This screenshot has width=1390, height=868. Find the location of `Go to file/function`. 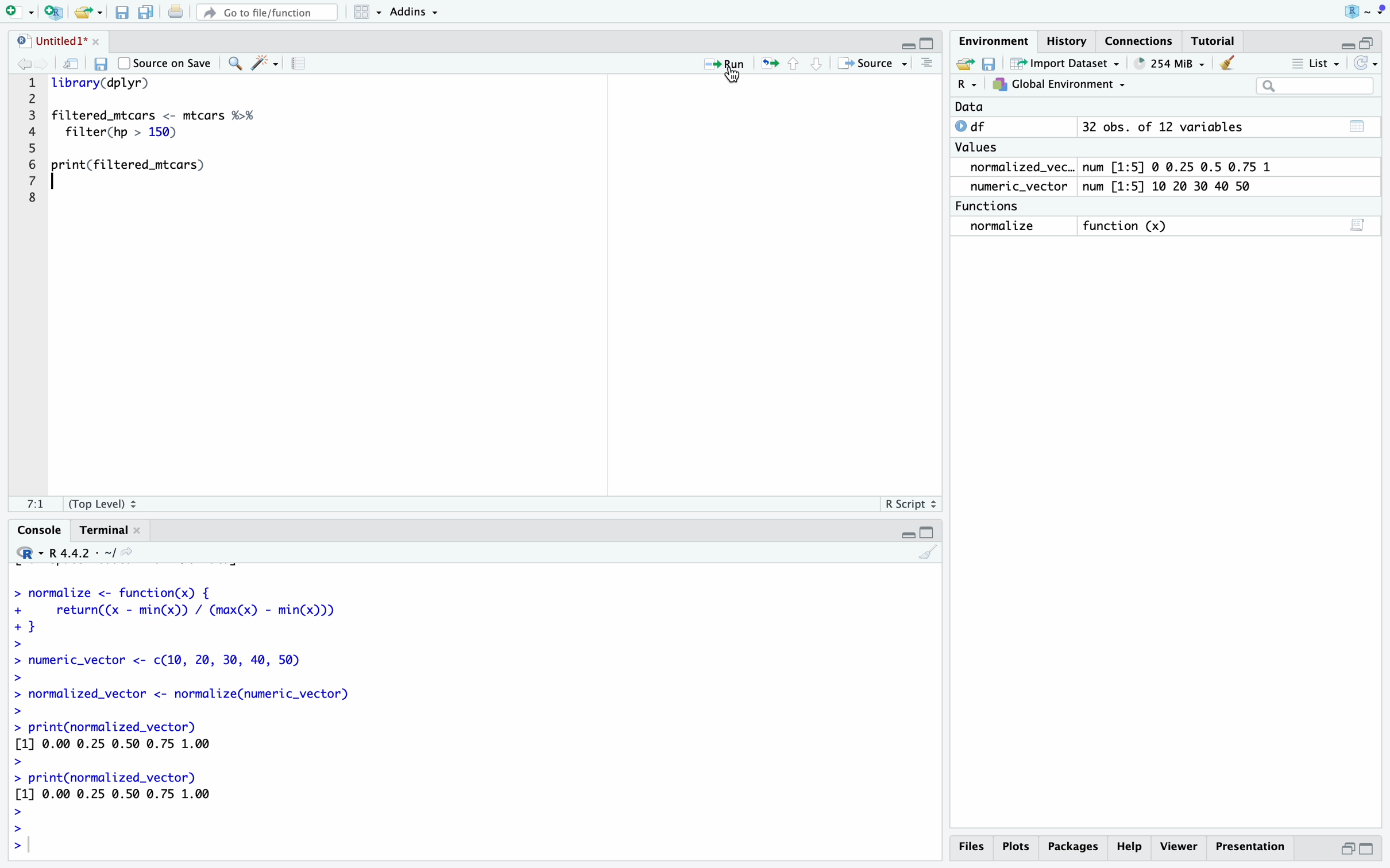

Go to file/function is located at coordinates (267, 13).